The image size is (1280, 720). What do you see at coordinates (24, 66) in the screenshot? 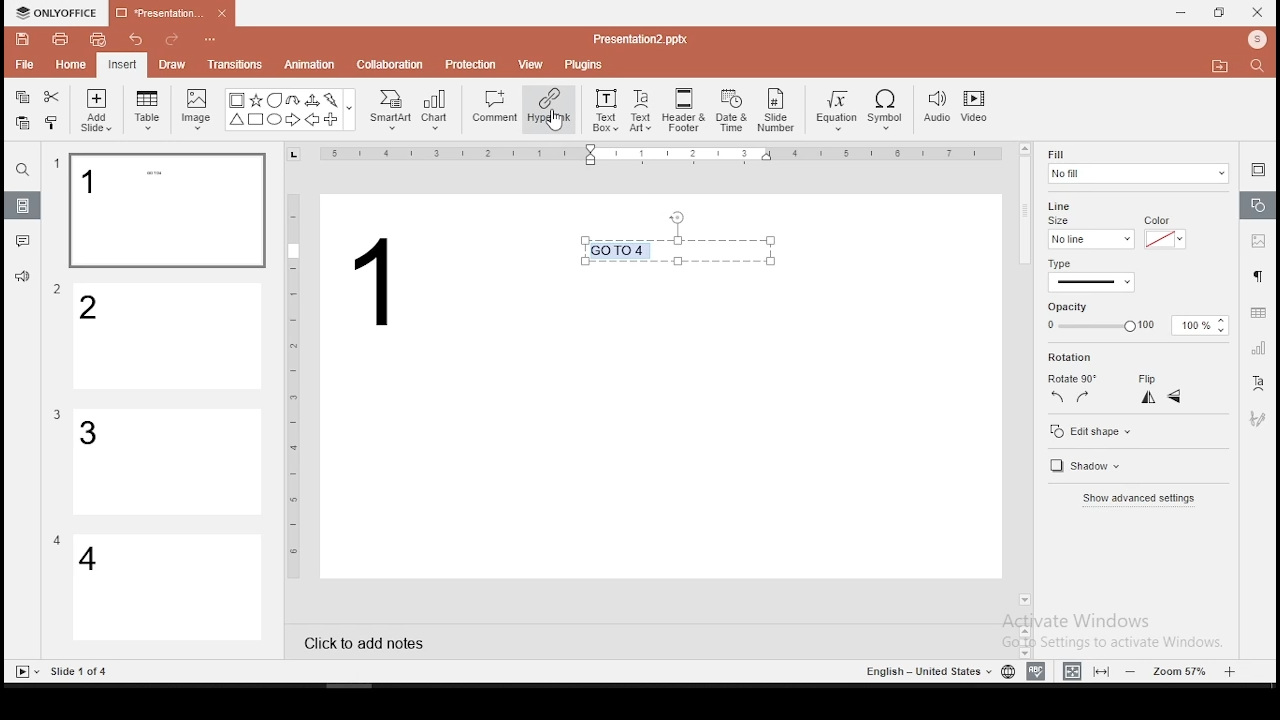
I see `file` at bounding box center [24, 66].